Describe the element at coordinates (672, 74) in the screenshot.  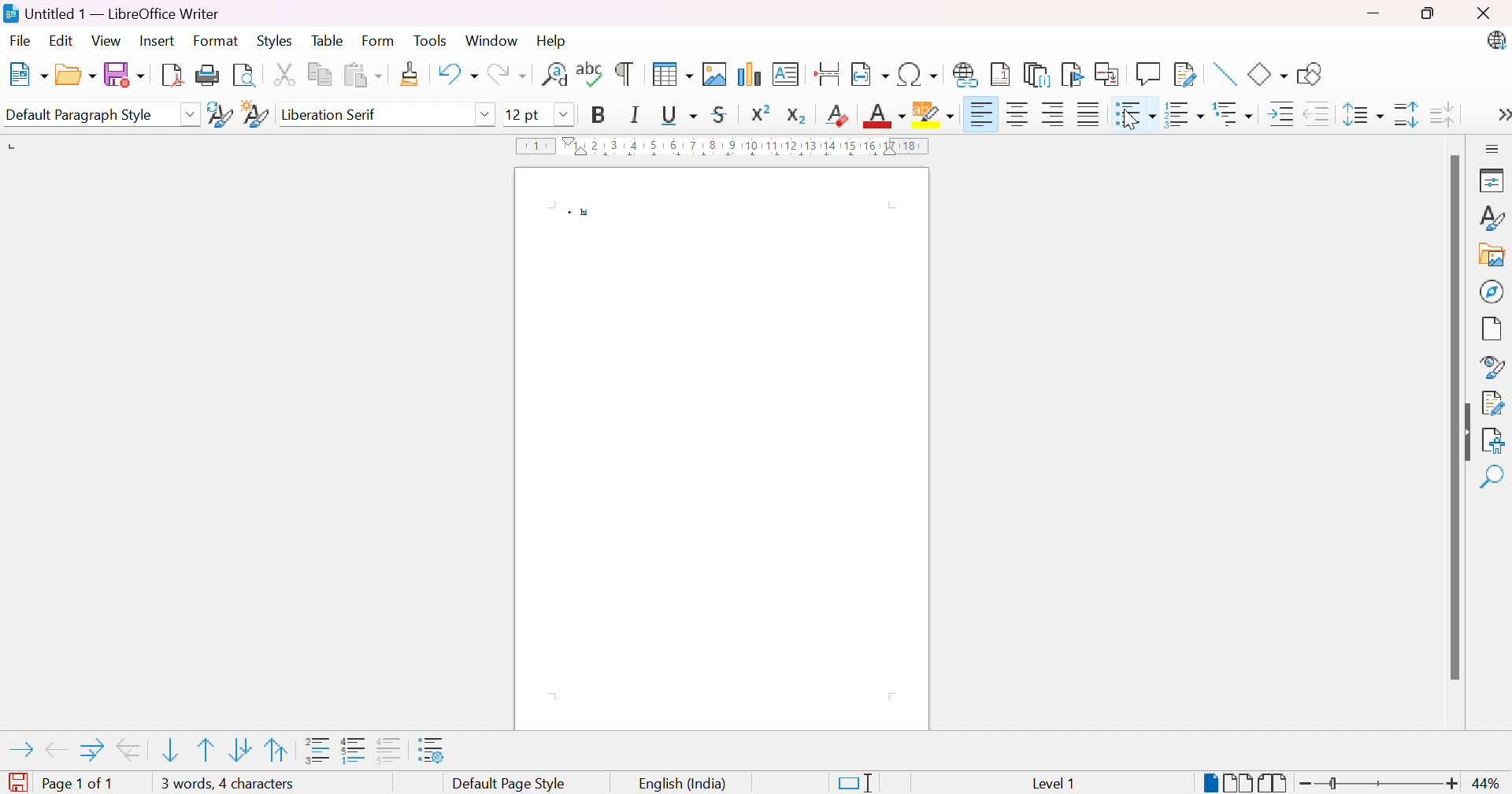
I see `Insert table` at that location.